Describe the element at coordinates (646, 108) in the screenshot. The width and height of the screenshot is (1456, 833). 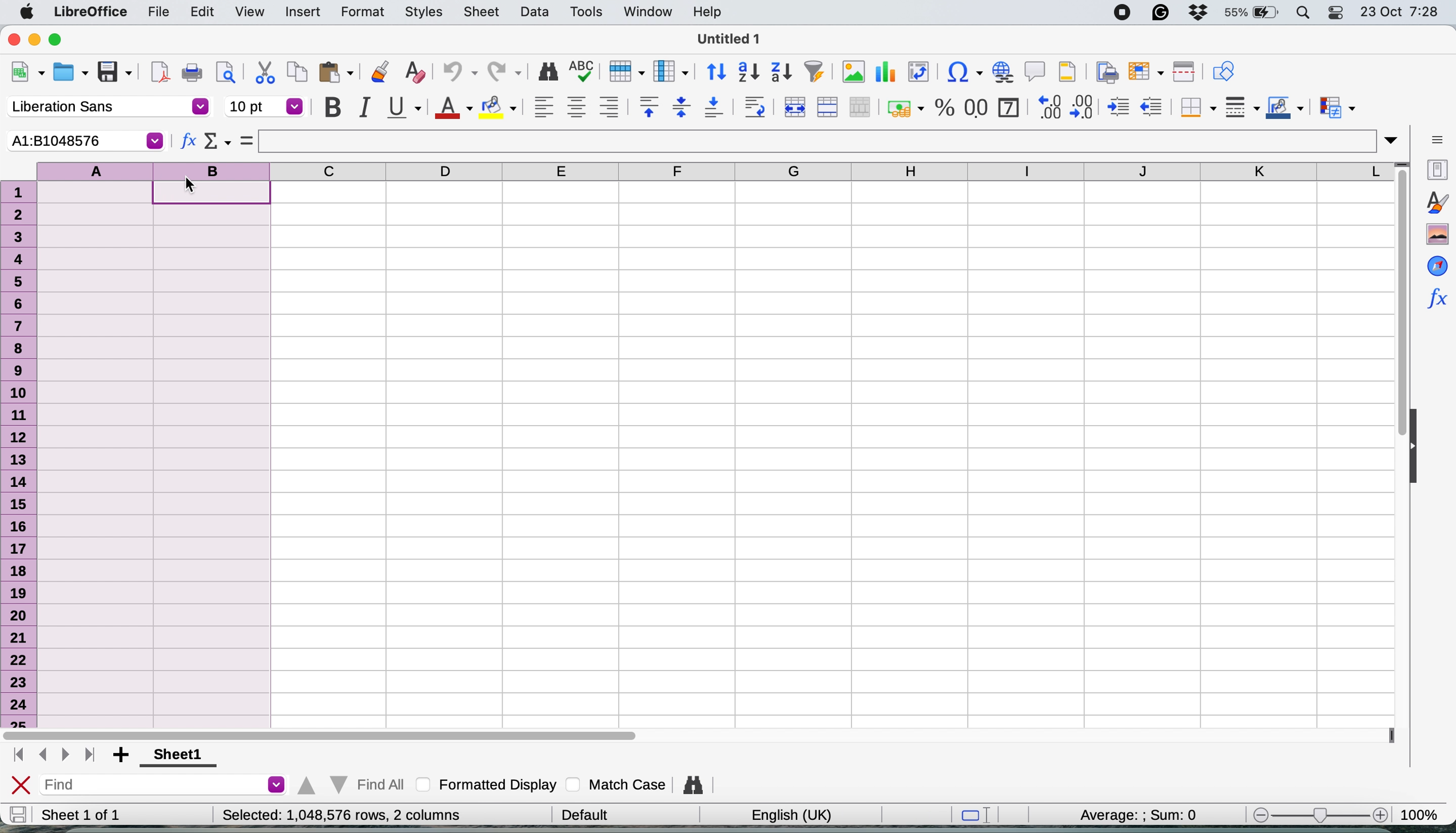
I see `align top` at that location.